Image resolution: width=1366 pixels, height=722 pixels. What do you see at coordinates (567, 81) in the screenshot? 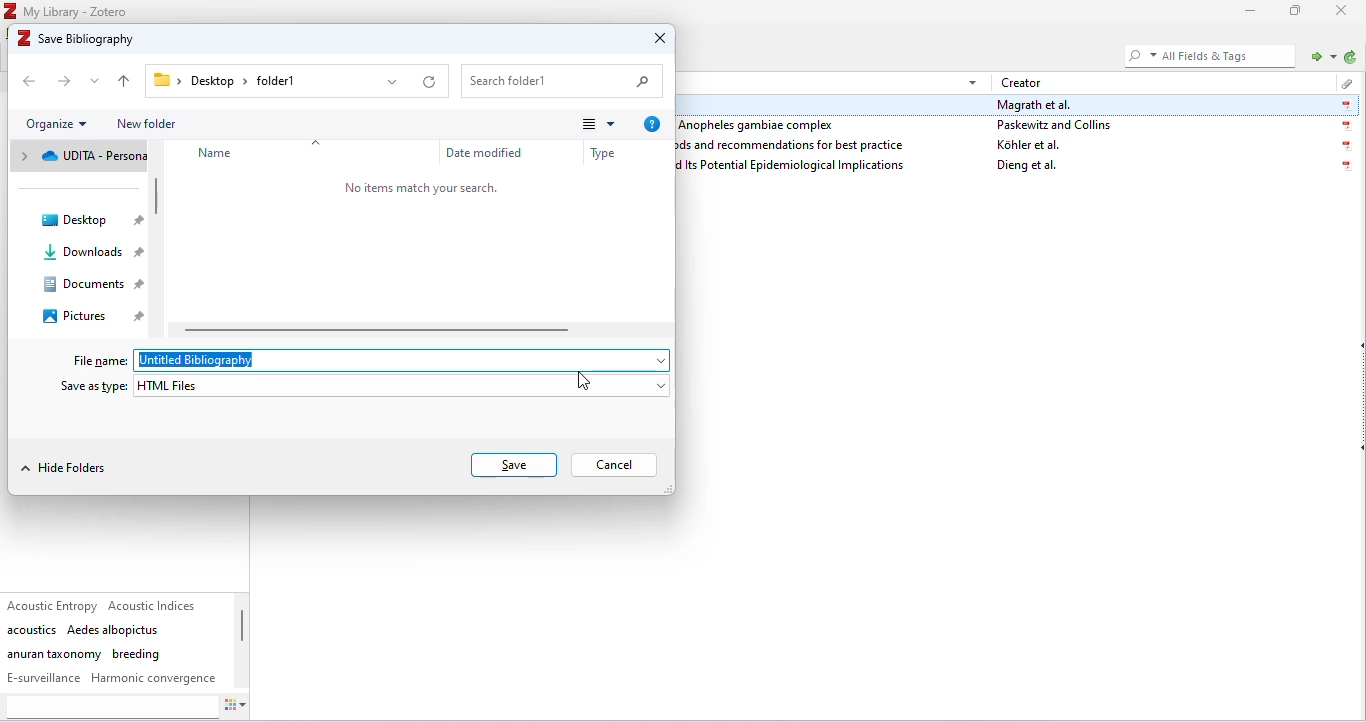
I see `search in current folder` at bounding box center [567, 81].